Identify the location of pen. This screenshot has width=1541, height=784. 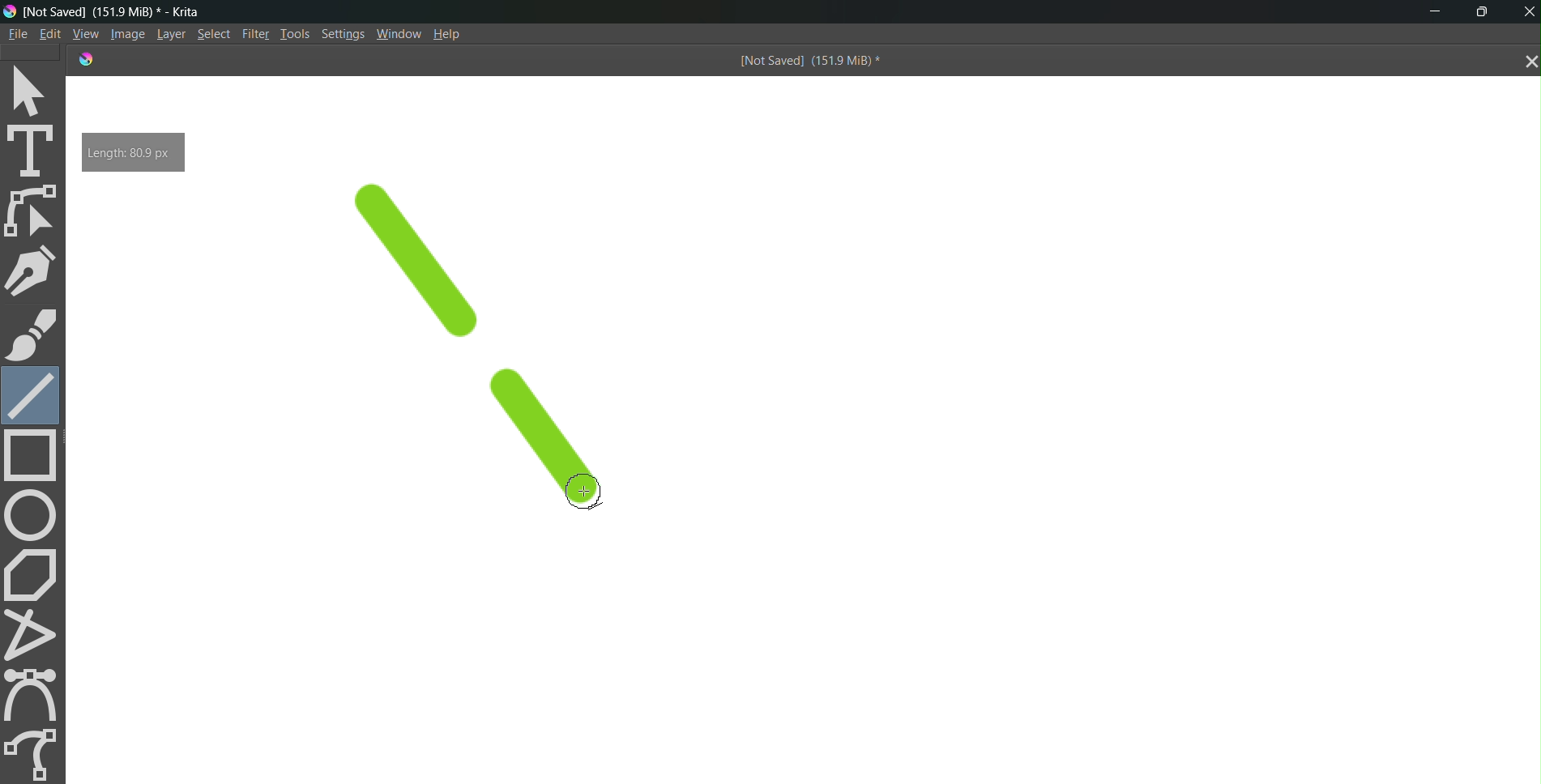
(35, 271).